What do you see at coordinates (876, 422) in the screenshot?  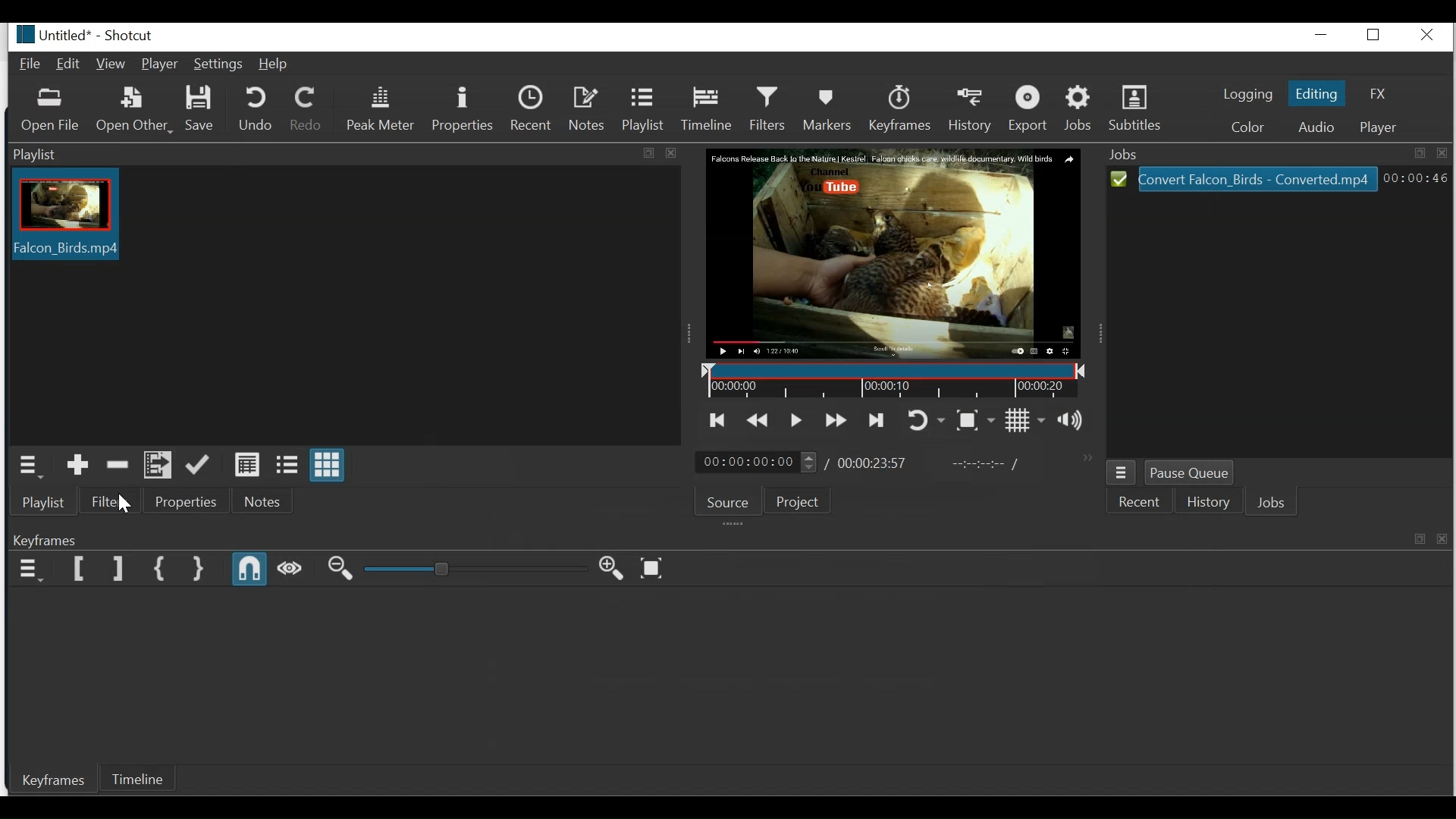 I see `Skip to the next point` at bounding box center [876, 422].